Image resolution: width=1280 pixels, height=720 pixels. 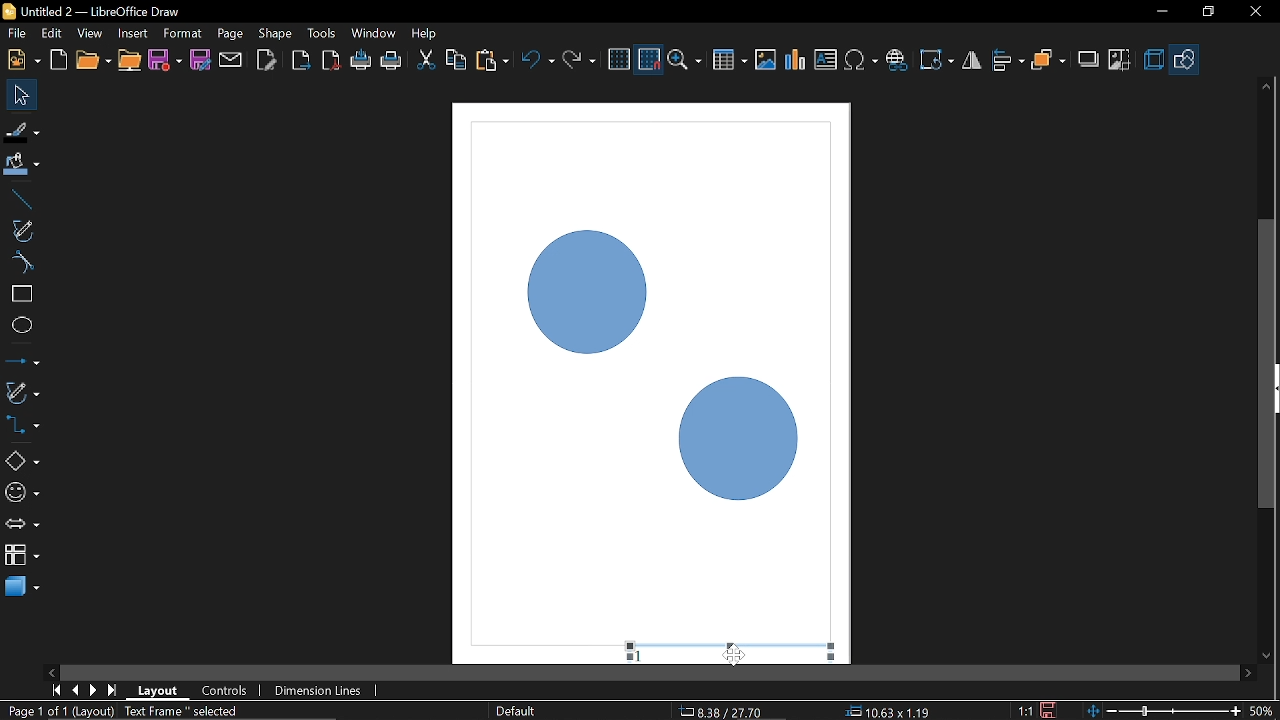 What do you see at coordinates (723, 710) in the screenshot?
I see `Location` at bounding box center [723, 710].